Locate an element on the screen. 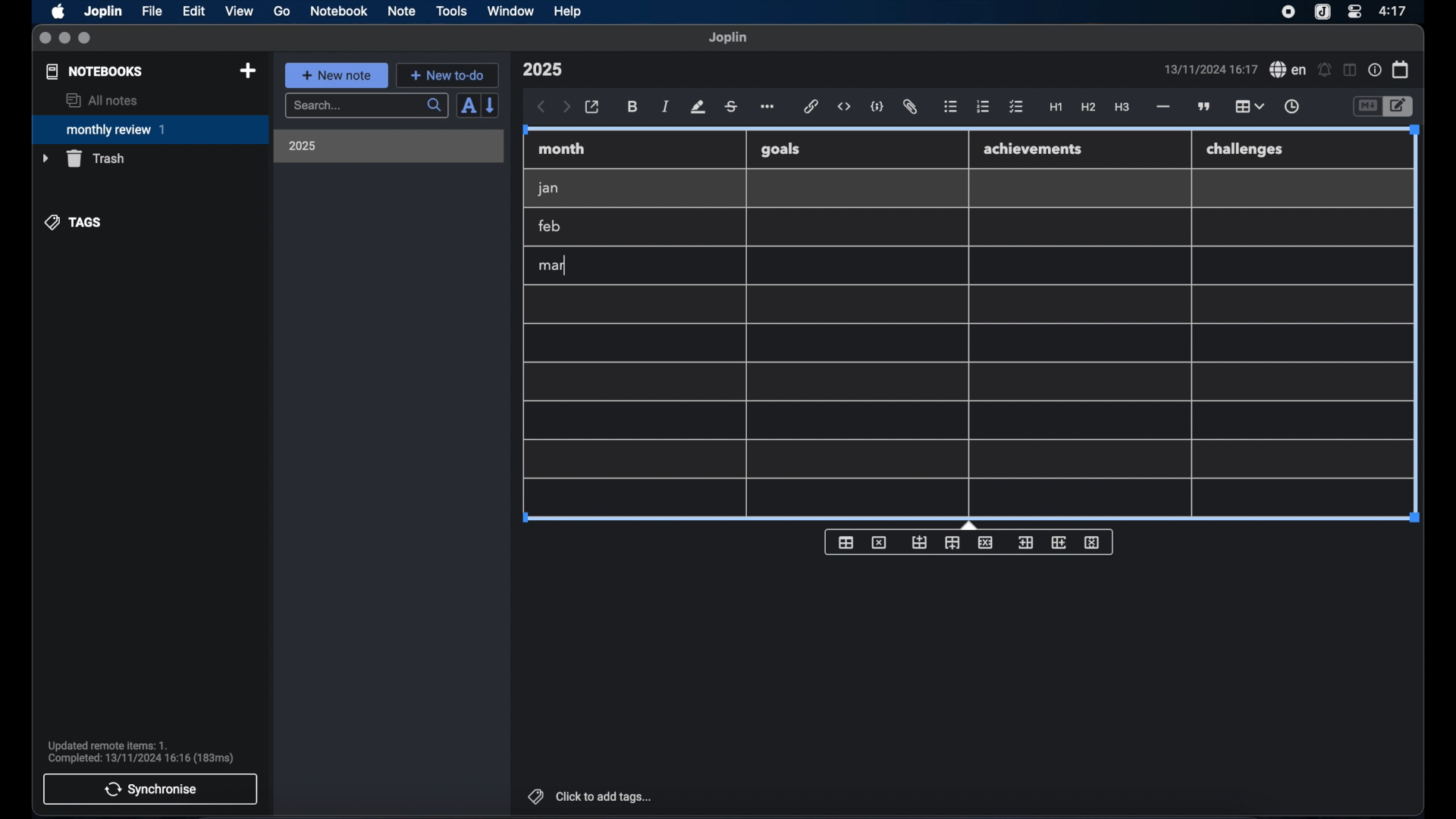  synchronise is located at coordinates (150, 789).